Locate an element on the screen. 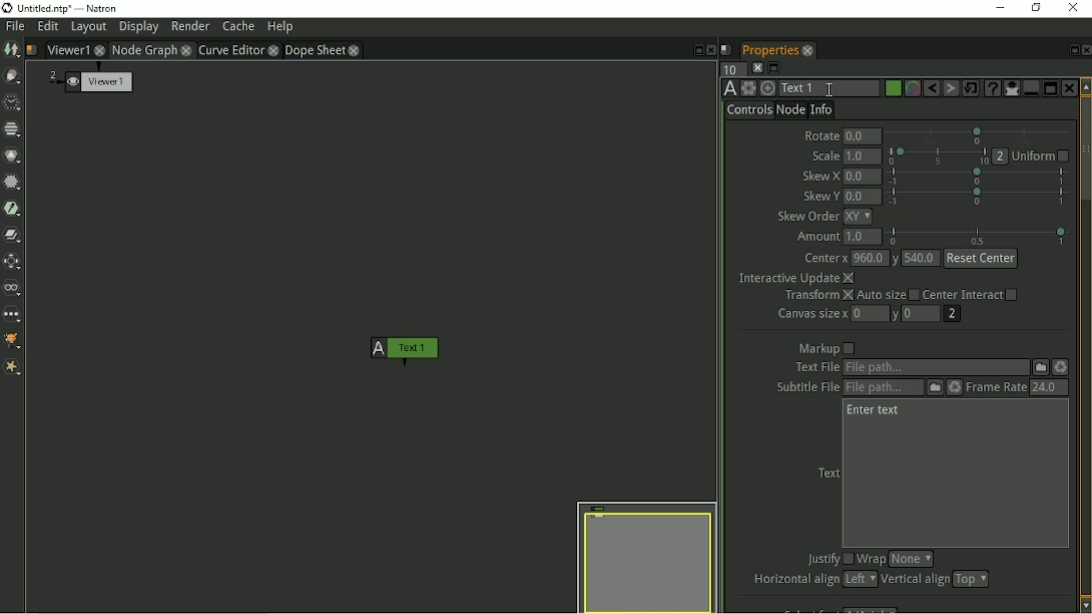 This screenshot has width=1092, height=614. Centers the node graph on this item is located at coordinates (769, 88).